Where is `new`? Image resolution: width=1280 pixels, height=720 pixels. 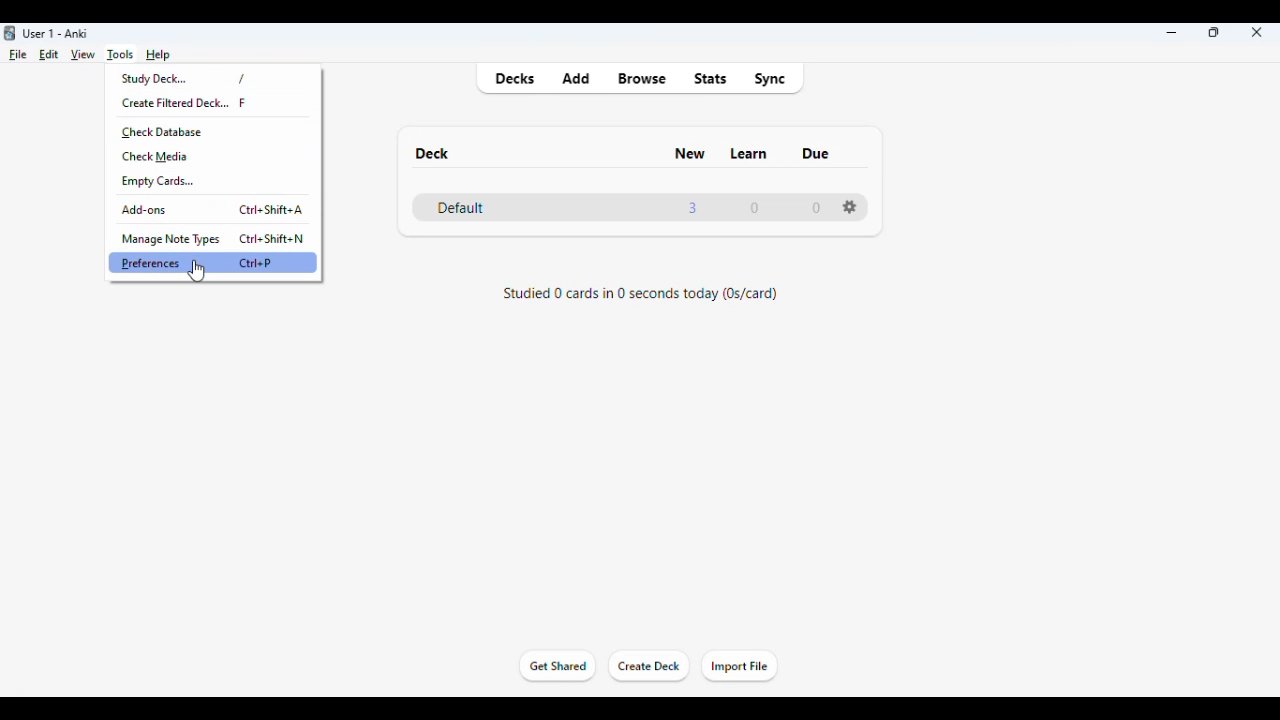 new is located at coordinates (690, 154).